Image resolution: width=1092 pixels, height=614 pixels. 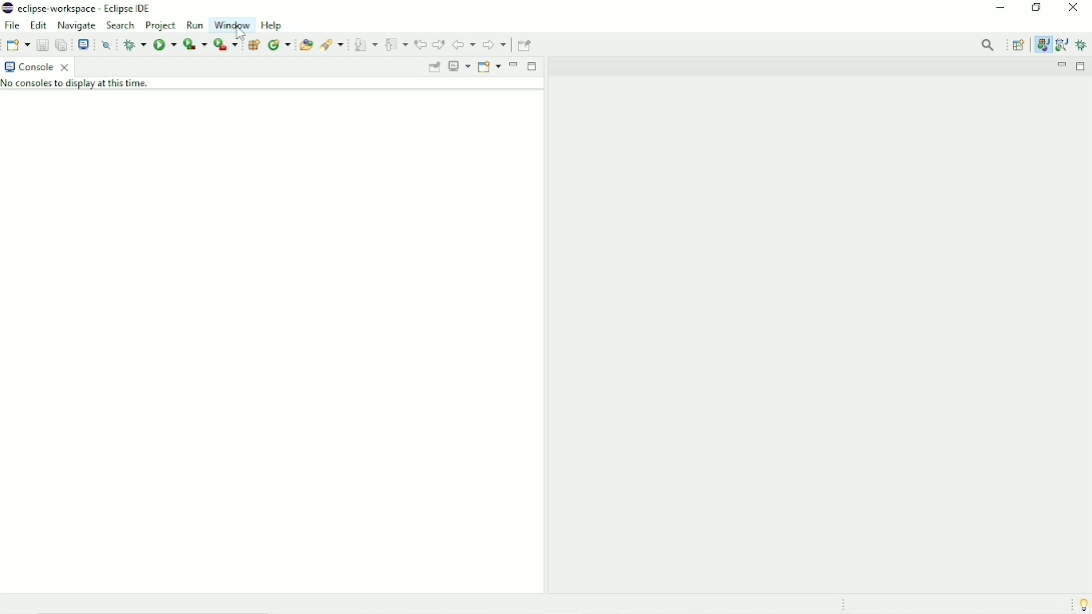 I want to click on Open console, so click(x=489, y=66).